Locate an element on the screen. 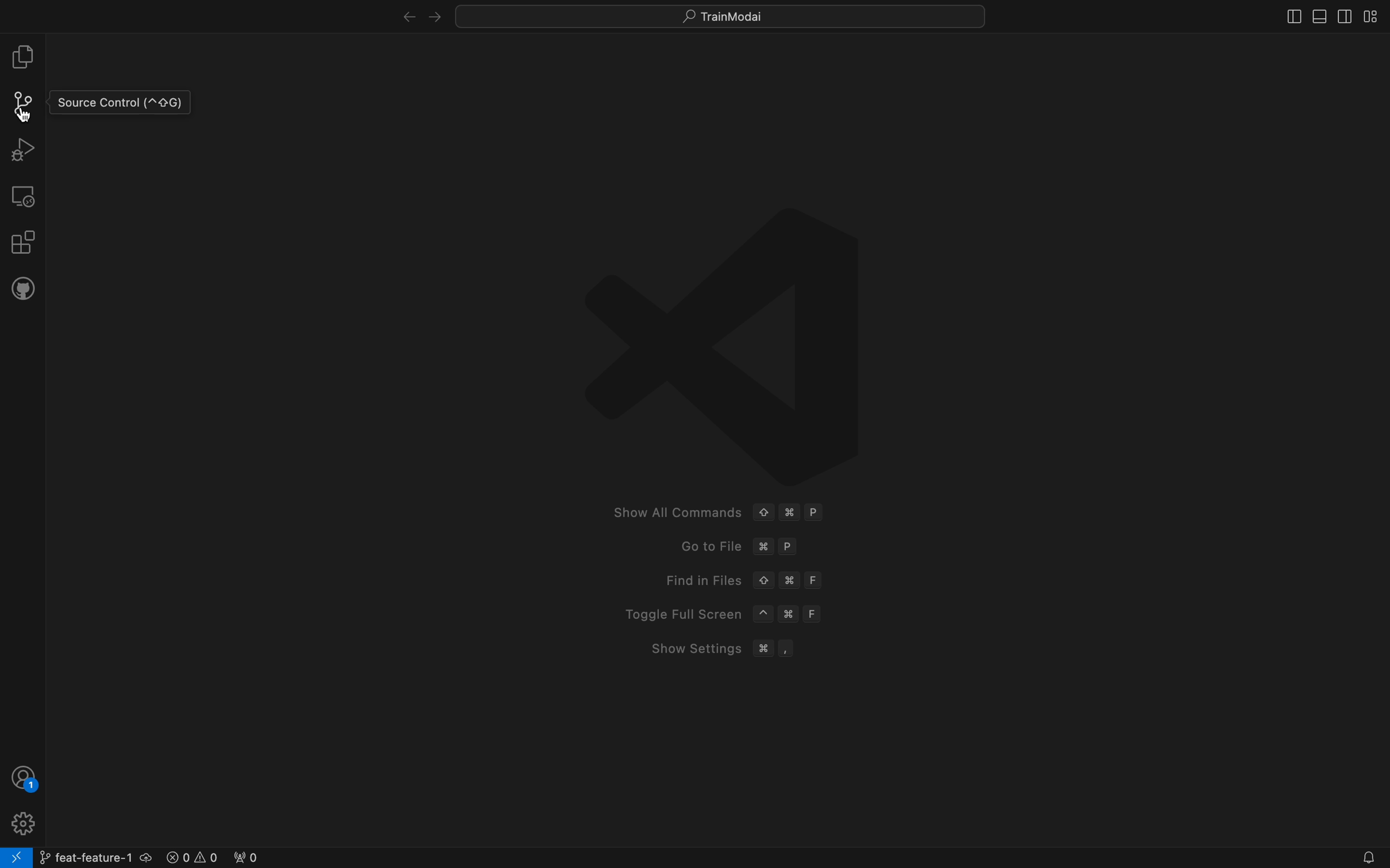  Find in Files is located at coordinates (692, 580).